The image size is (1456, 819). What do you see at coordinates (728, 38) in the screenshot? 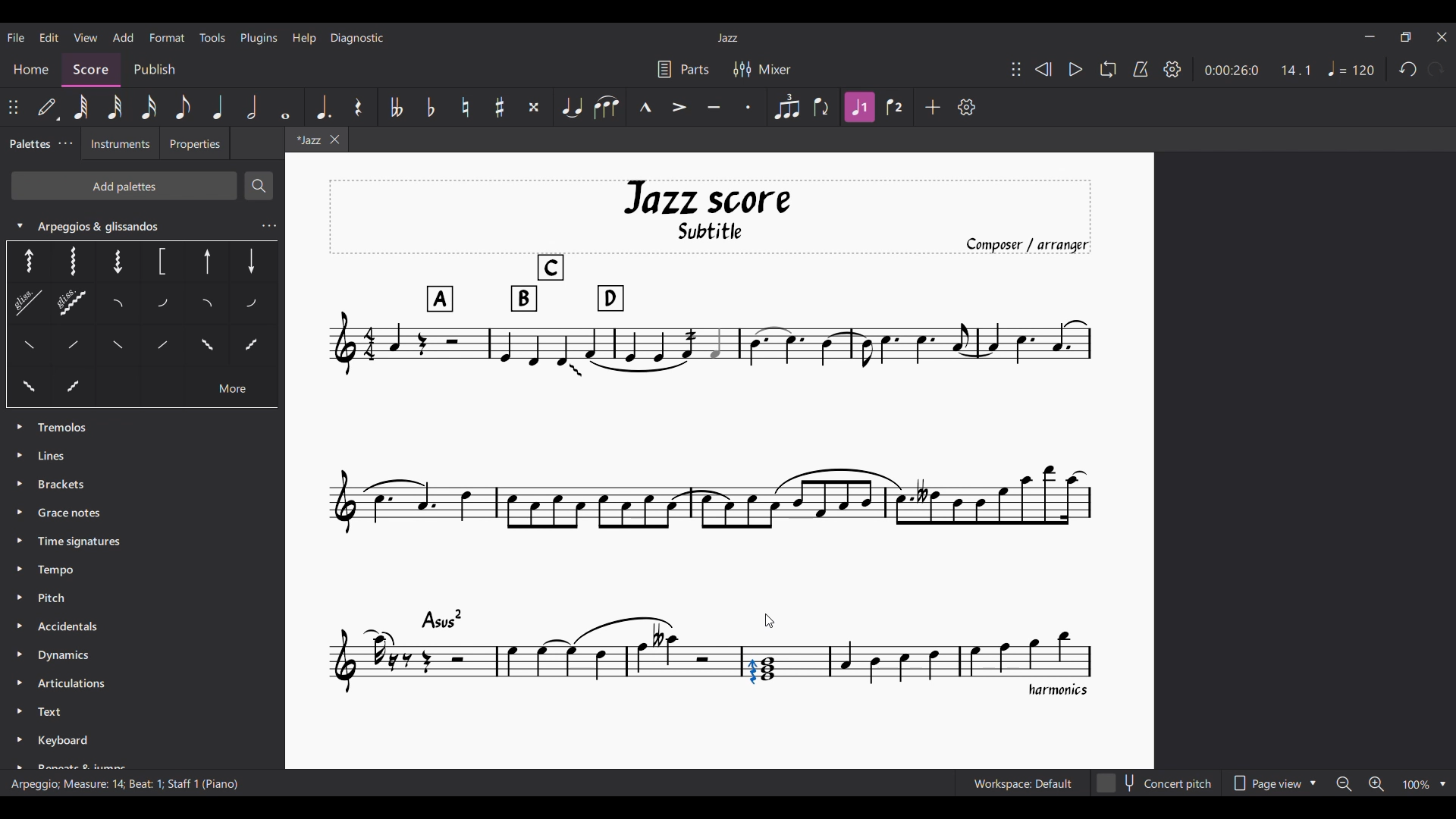
I see `Current score title` at bounding box center [728, 38].